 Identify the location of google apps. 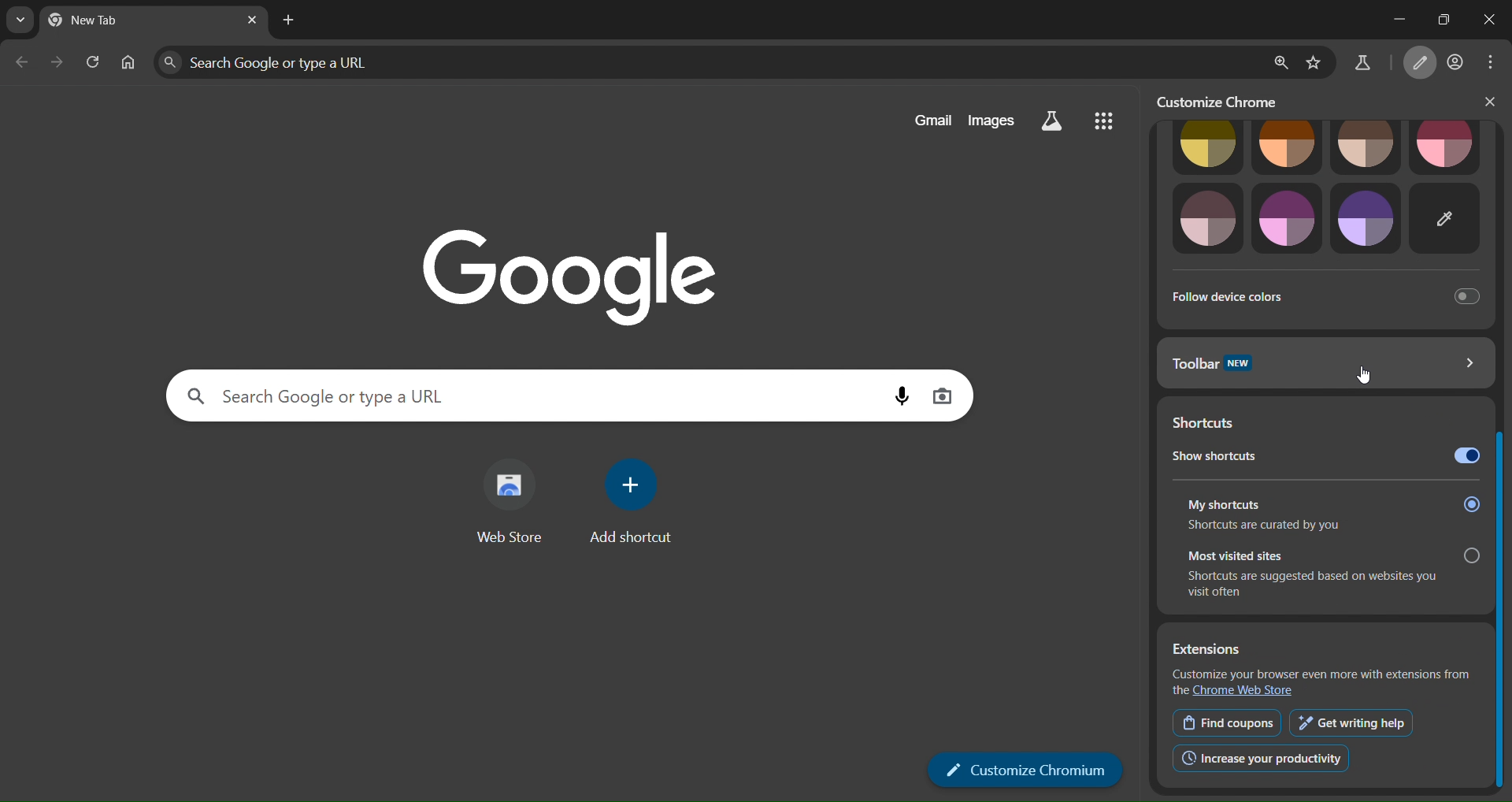
(1104, 121).